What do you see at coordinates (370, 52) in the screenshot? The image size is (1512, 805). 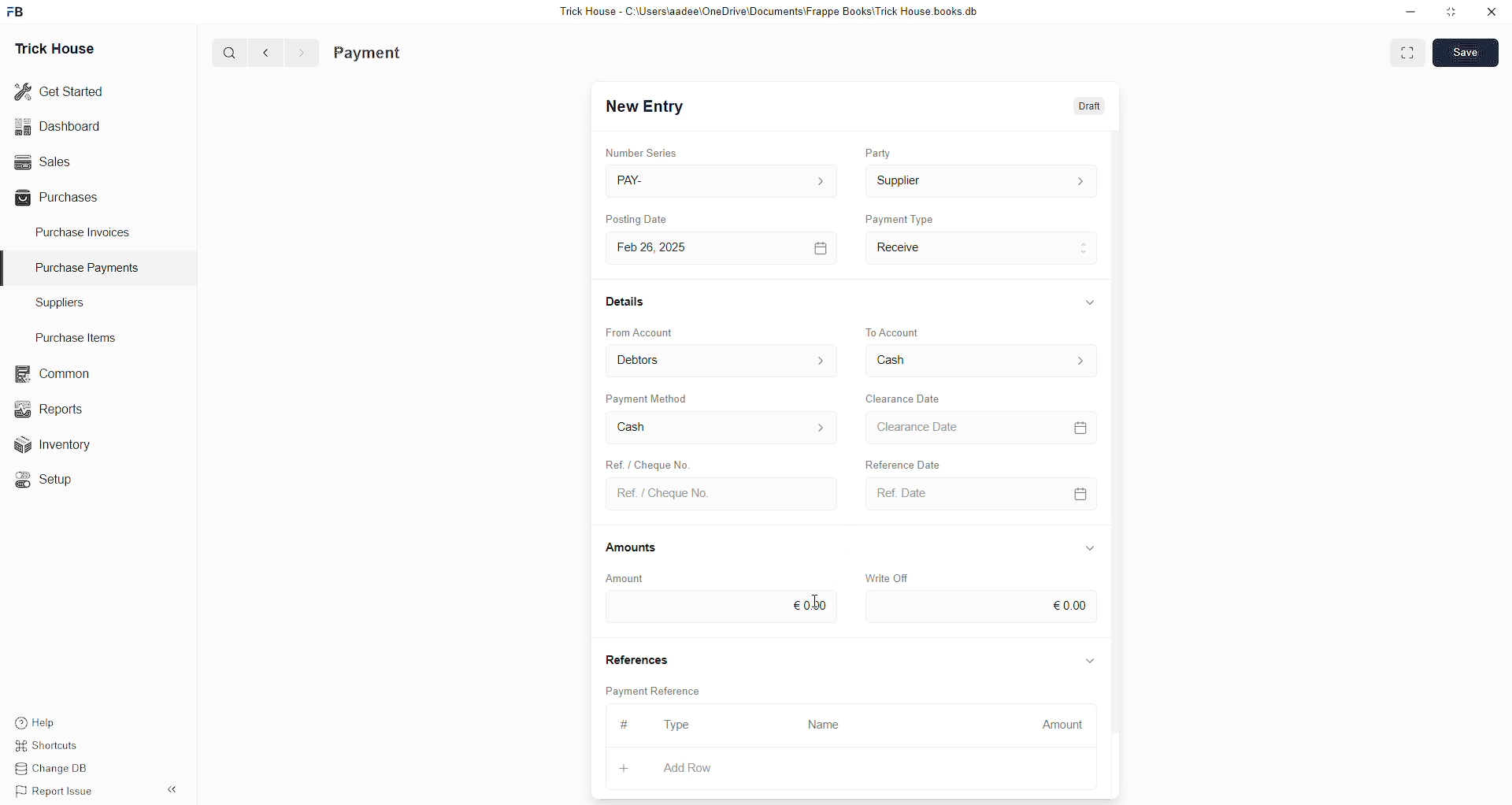 I see `Payment` at bounding box center [370, 52].